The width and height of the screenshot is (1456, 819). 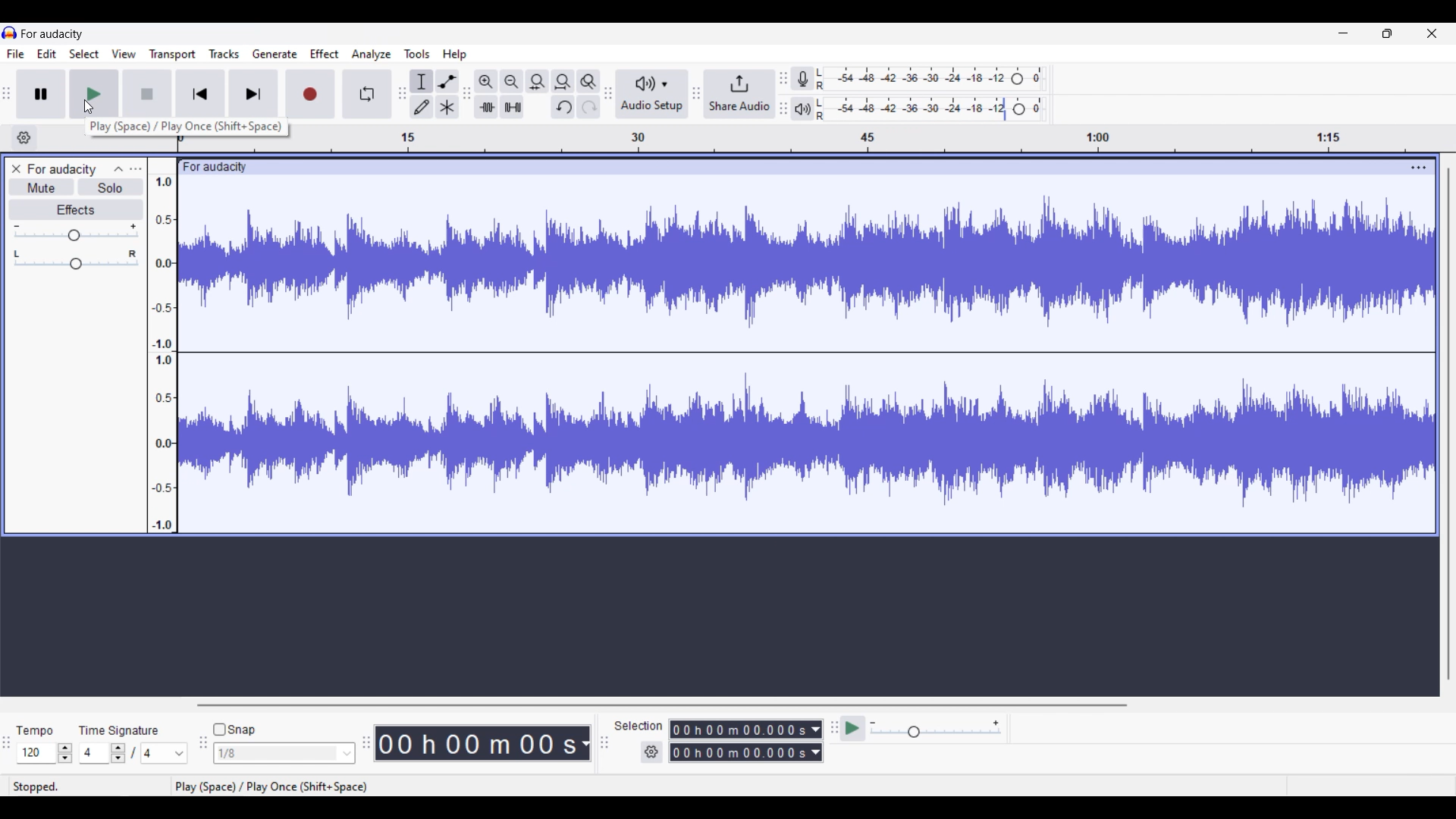 I want to click on Horizontal slide bar, so click(x=663, y=705).